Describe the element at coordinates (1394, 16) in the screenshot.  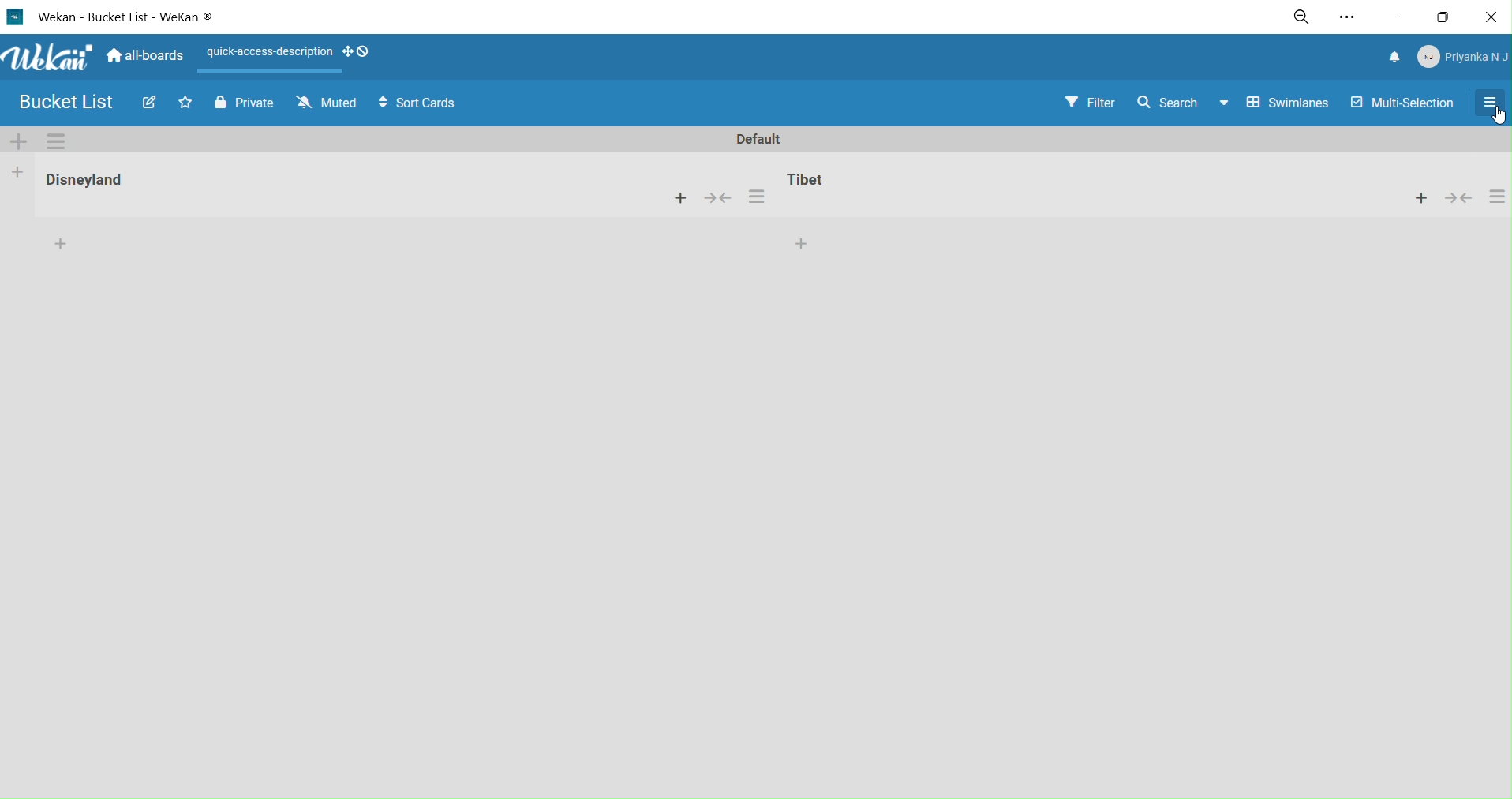
I see `minimize` at that location.